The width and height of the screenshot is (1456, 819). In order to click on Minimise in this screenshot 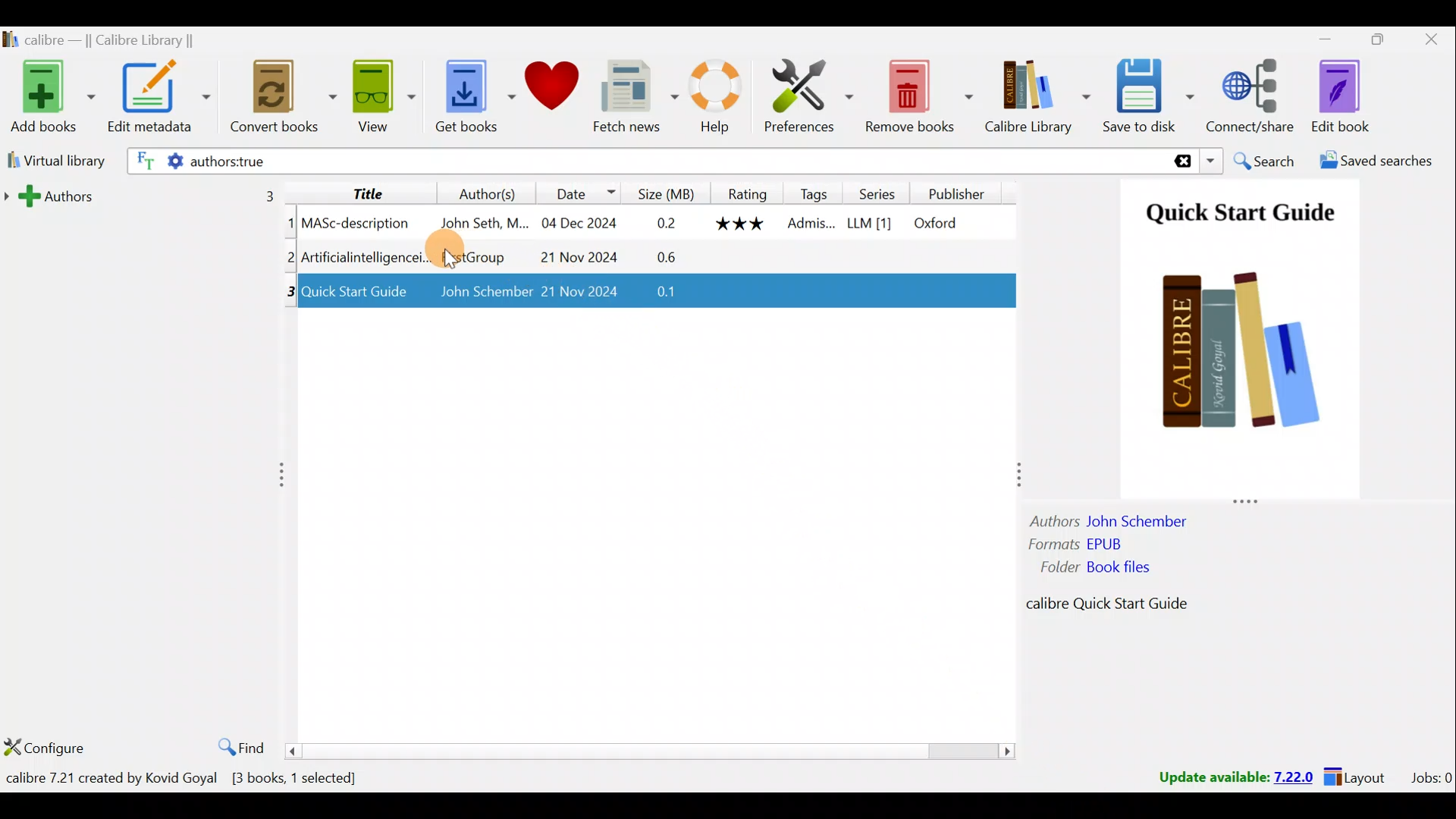, I will do `click(1318, 42)`.